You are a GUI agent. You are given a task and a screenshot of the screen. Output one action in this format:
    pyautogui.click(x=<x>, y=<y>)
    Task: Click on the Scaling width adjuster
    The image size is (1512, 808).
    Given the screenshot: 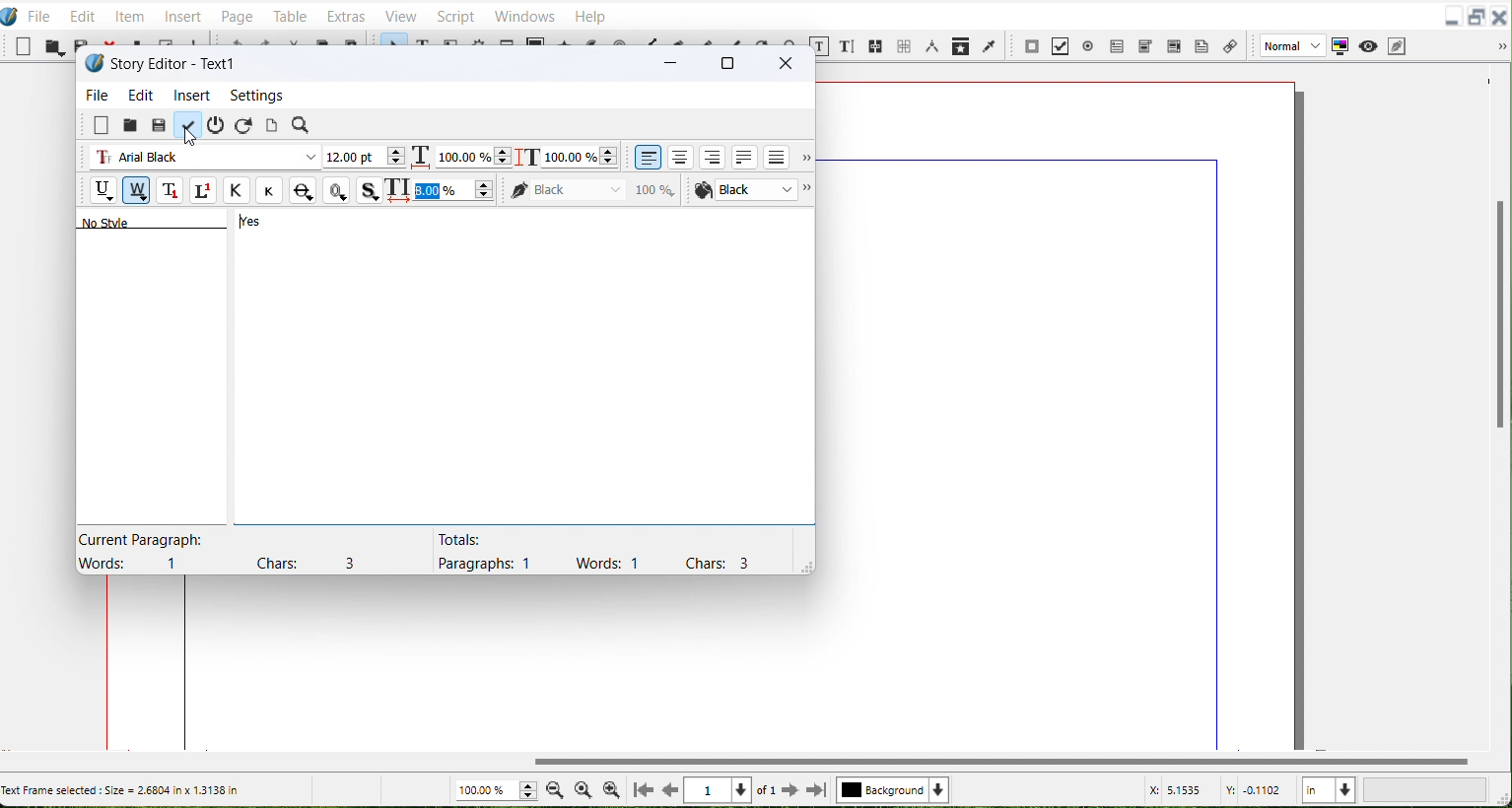 What is the action you would take?
    pyautogui.click(x=460, y=154)
    